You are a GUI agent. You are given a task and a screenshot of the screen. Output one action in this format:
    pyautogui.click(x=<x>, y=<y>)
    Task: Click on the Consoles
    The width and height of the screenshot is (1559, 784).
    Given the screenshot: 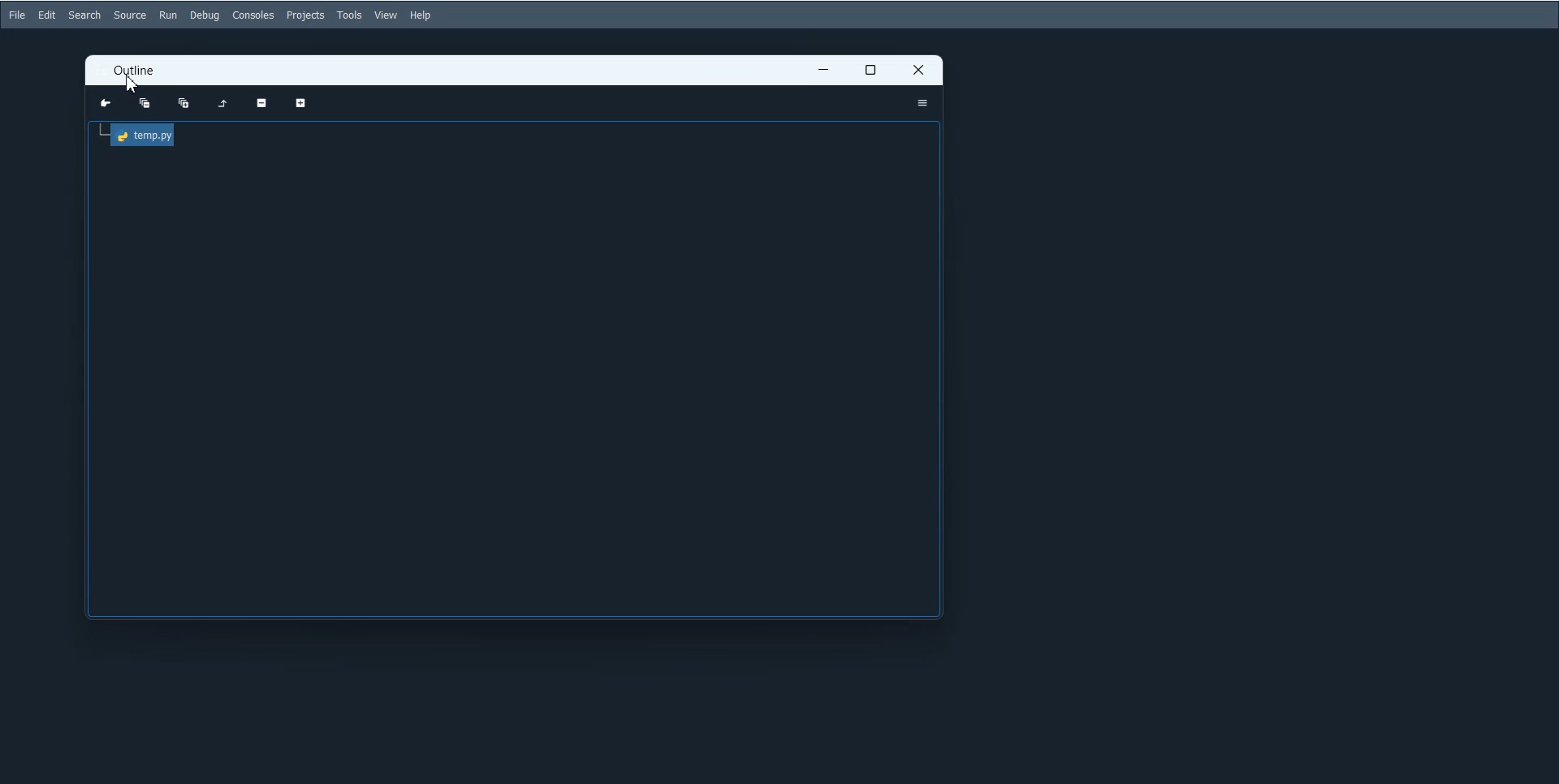 What is the action you would take?
    pyautogui.click(x=253, y=15)
    